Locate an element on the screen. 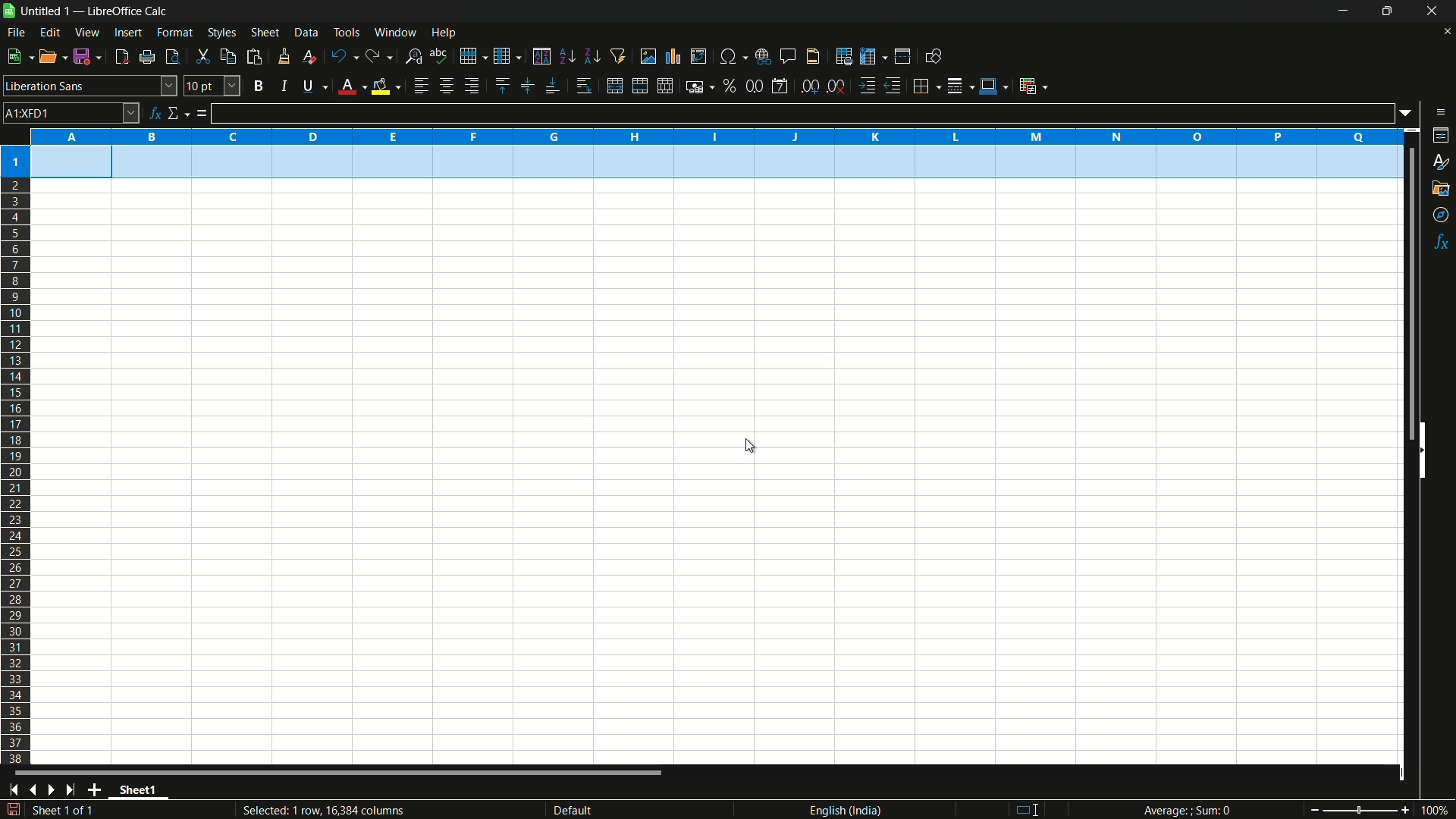 Image resolution: width=1456 pixels, height=819 pixels. clear direct formatting is located at coordinates (307, 56).